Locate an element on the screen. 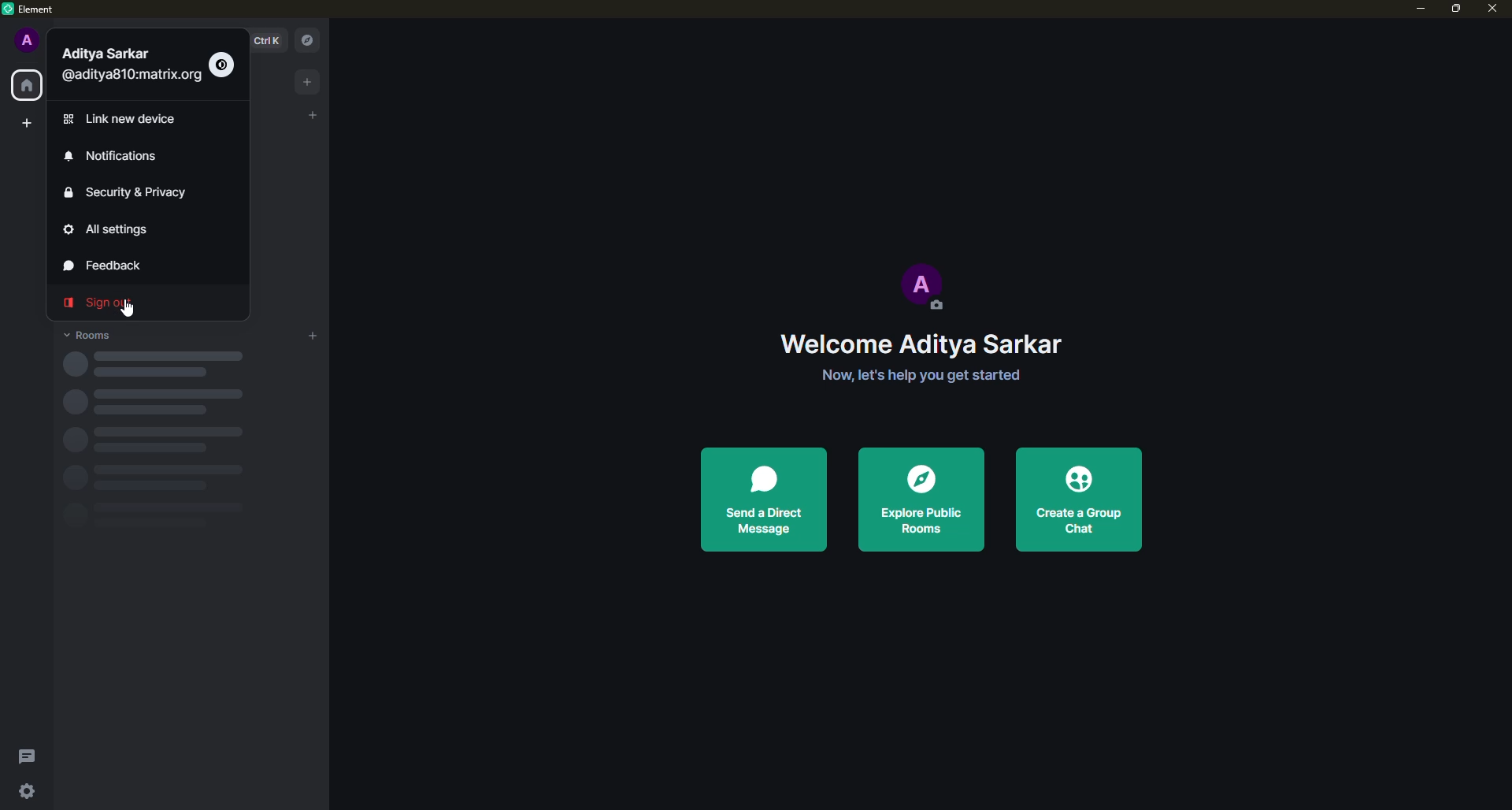 This screenshot has height=810, width=1512. close is located at coordinates (1496, 9).